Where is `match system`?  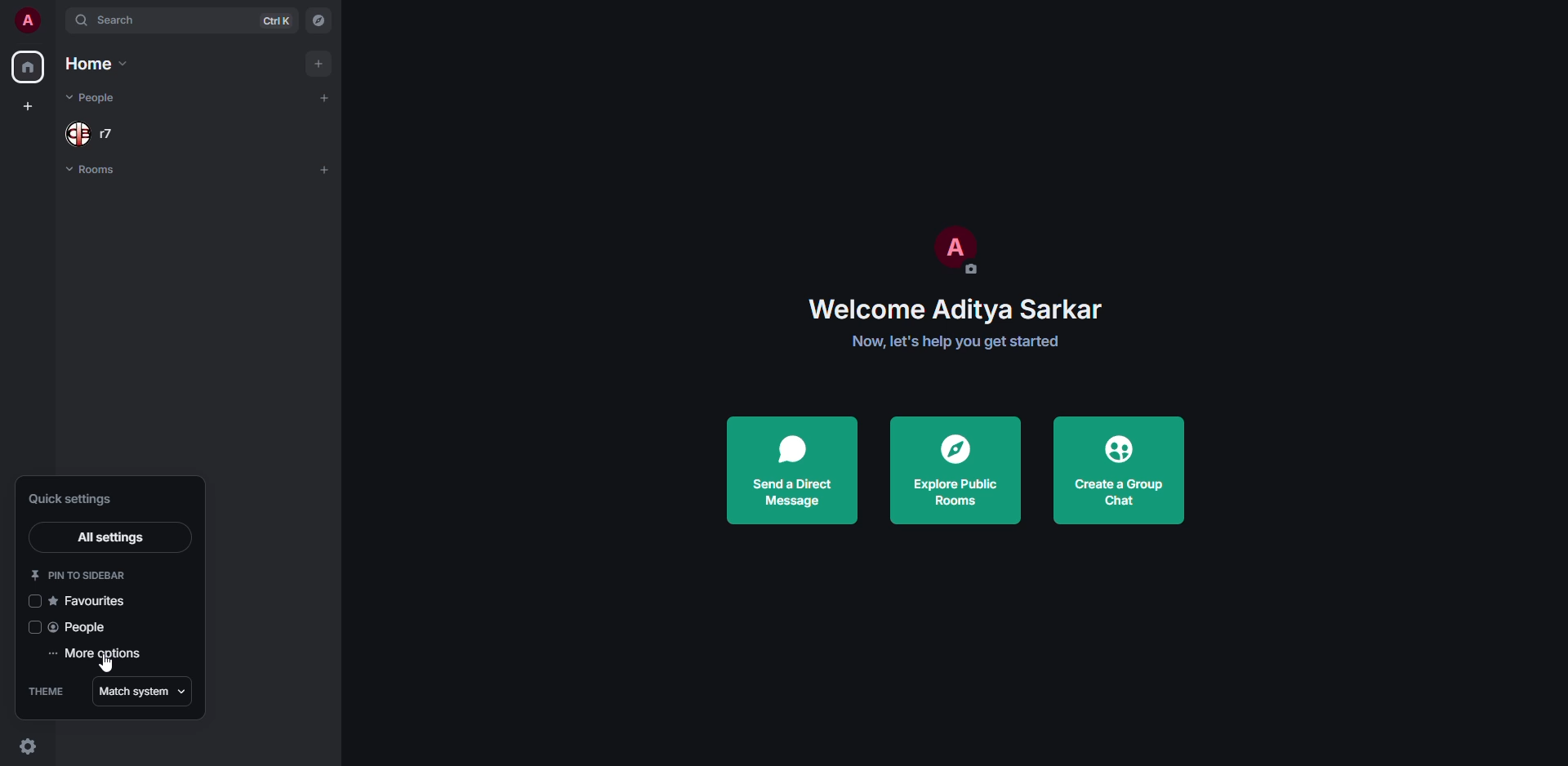 match system is located at coordinates (148, 690).